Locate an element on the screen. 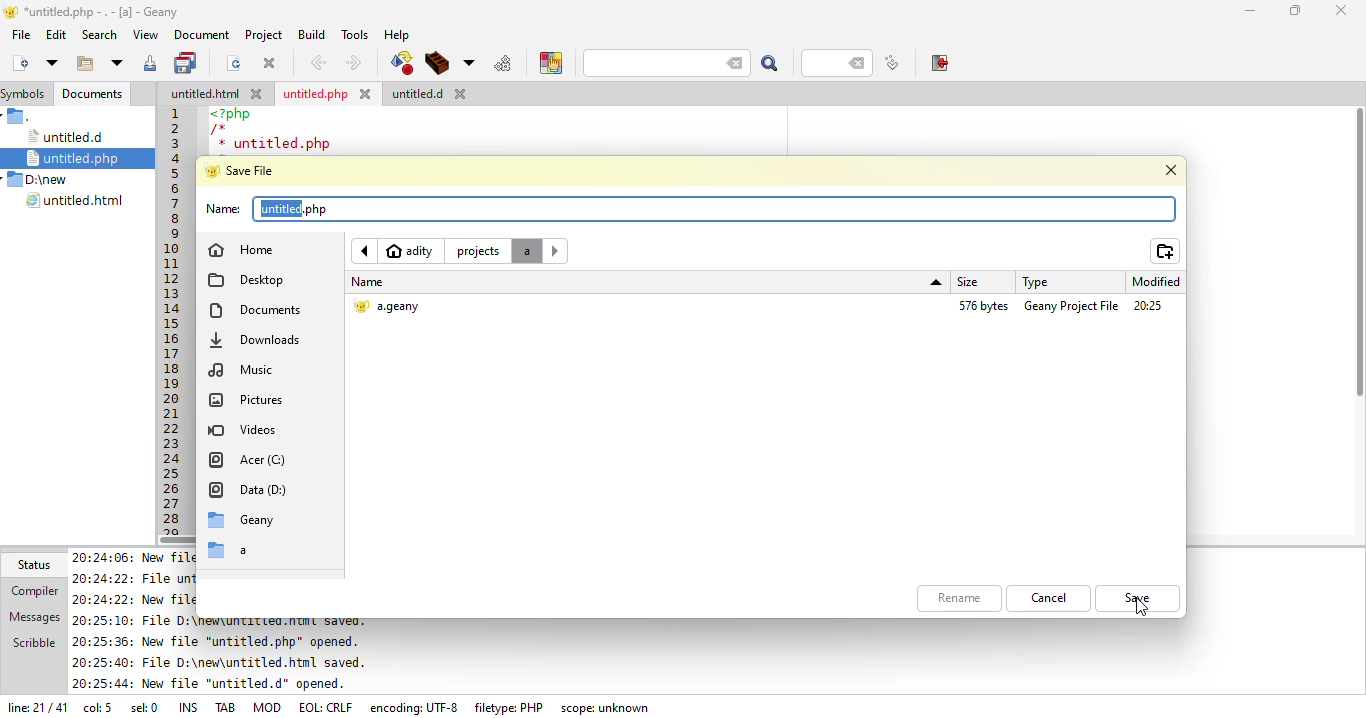  time is located at coordinates (1149, 307).